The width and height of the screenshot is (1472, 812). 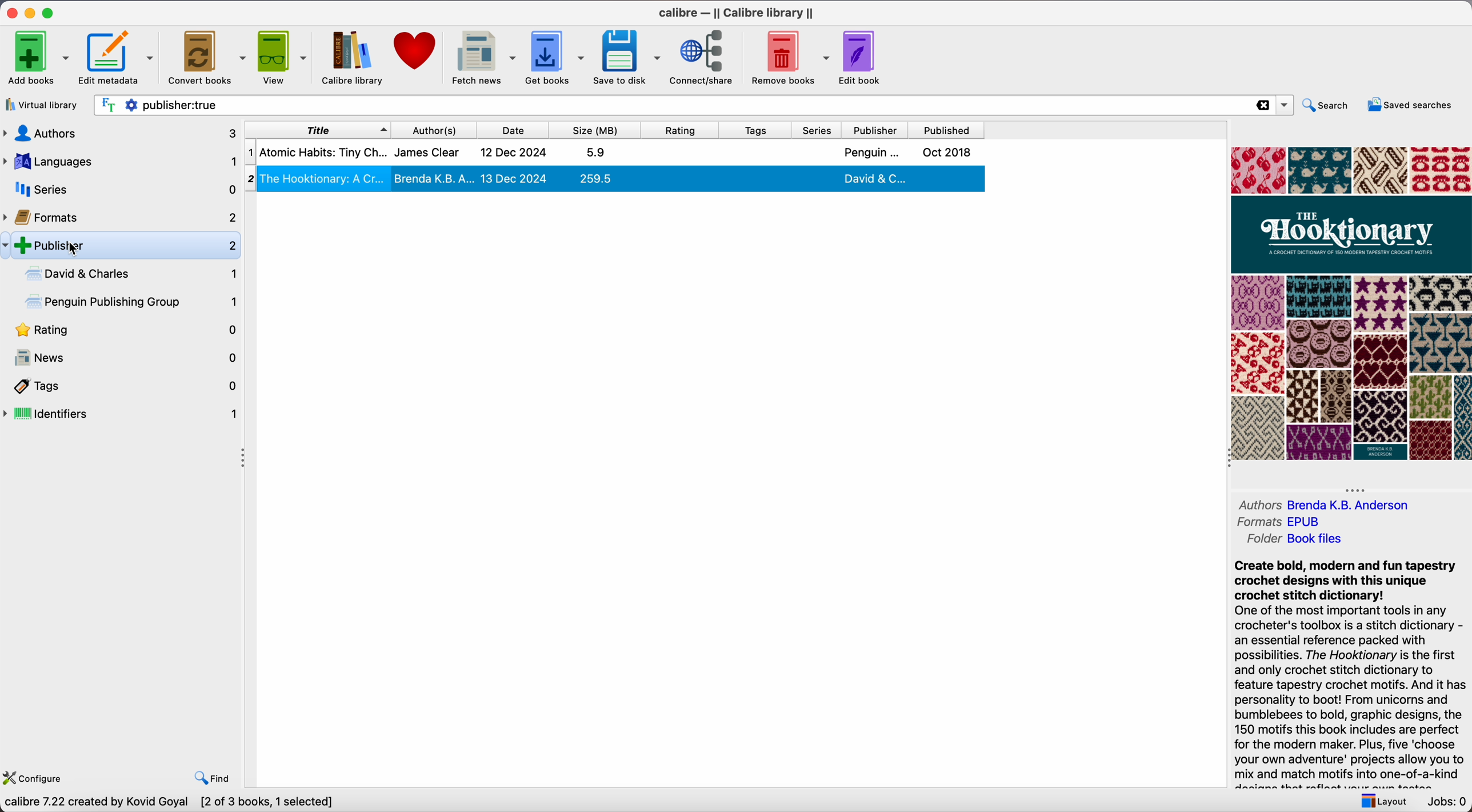 What do you see at coordinates (119, 58) in the screenshot?
I see `edit metadata` at bounding box center [119, 58].